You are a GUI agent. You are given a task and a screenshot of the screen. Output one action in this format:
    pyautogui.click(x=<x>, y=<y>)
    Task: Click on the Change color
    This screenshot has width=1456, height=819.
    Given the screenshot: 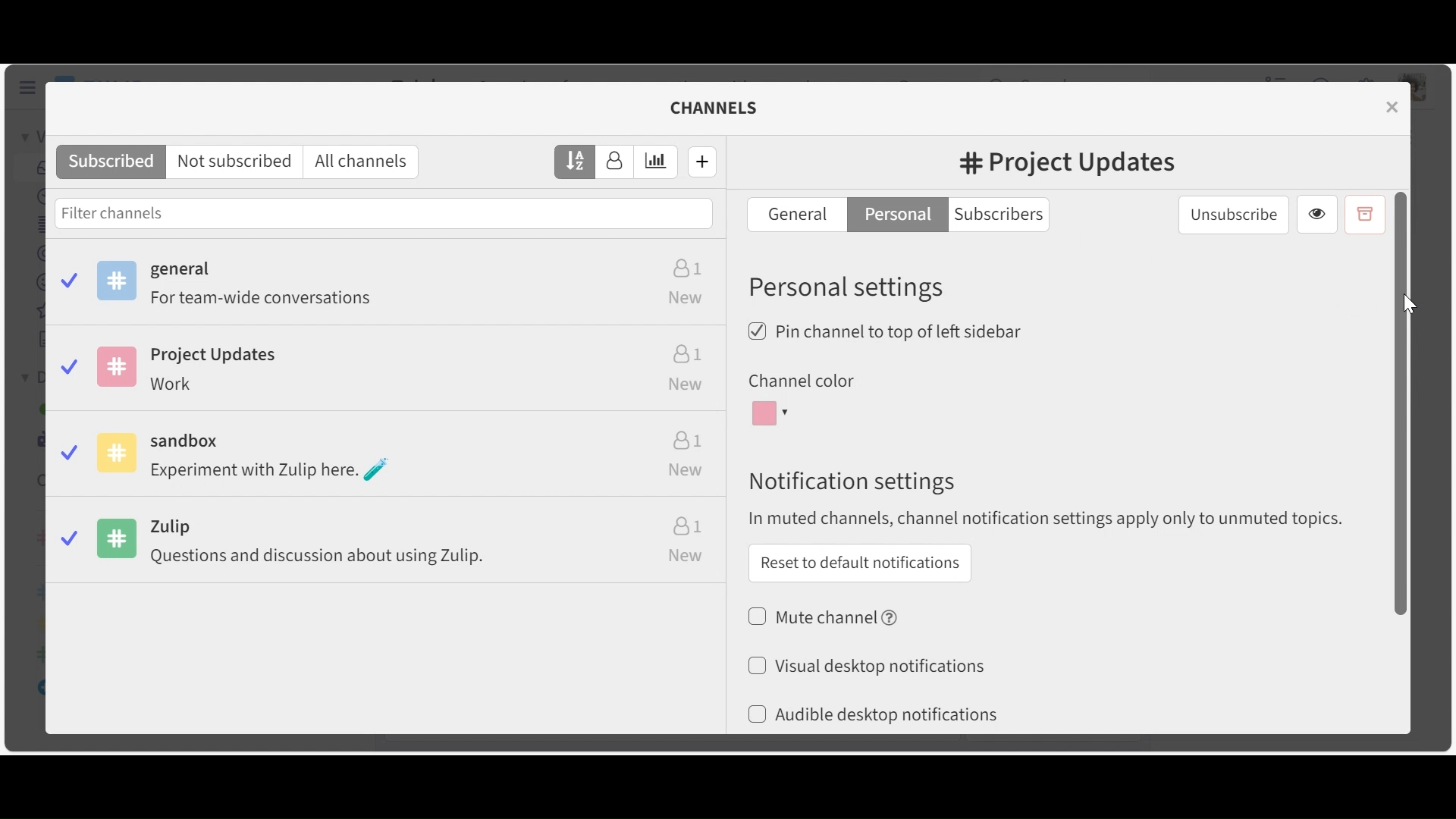 What is the action you would take?
    pyautogui.click(x=870, y=373)
    